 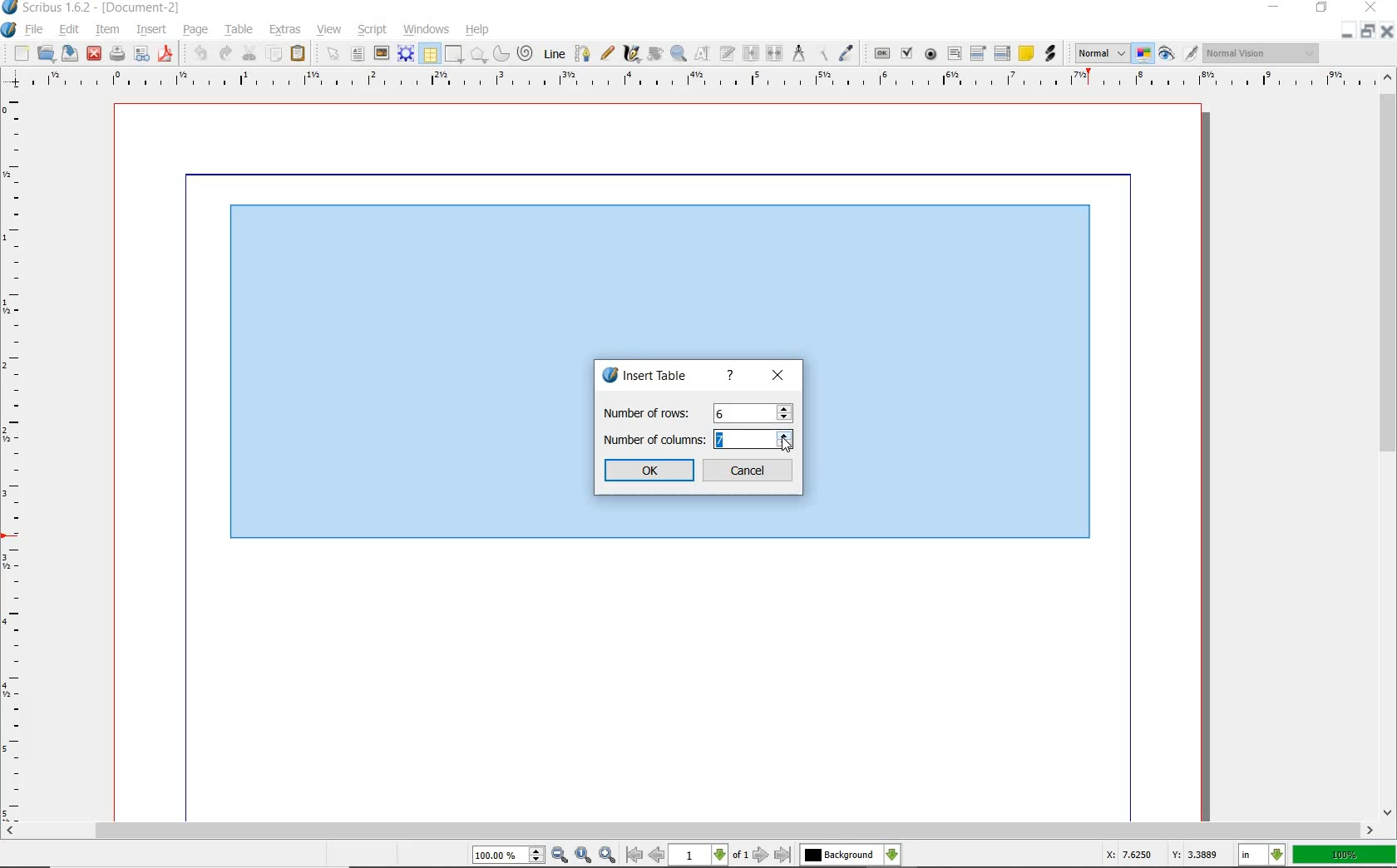 What do you see at coordinates (116, 53) in the screenshot?
I see `print` at bounding box center [116, 53].